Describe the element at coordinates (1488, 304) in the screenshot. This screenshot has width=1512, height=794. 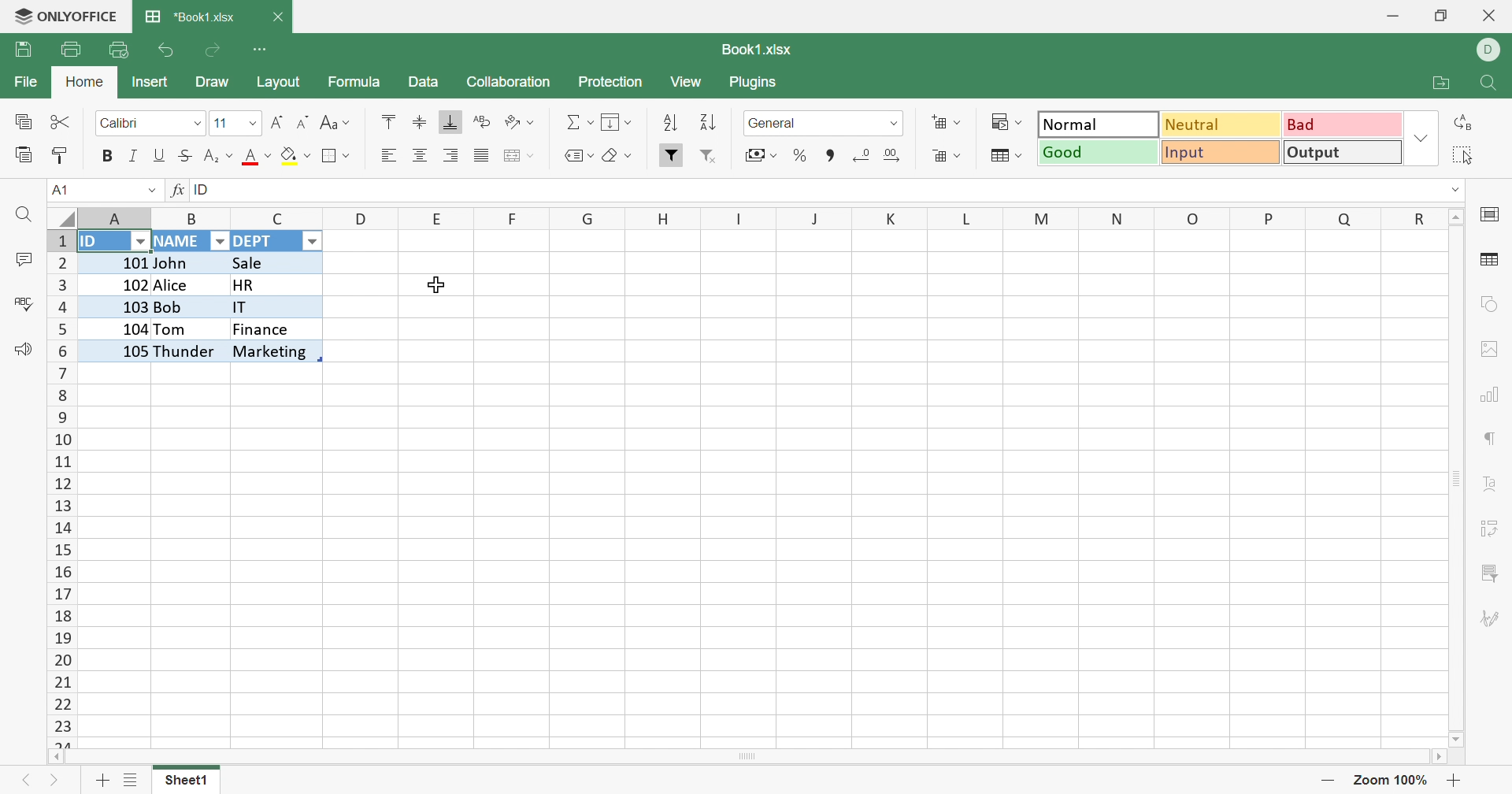
I see `shape settings` at that location.